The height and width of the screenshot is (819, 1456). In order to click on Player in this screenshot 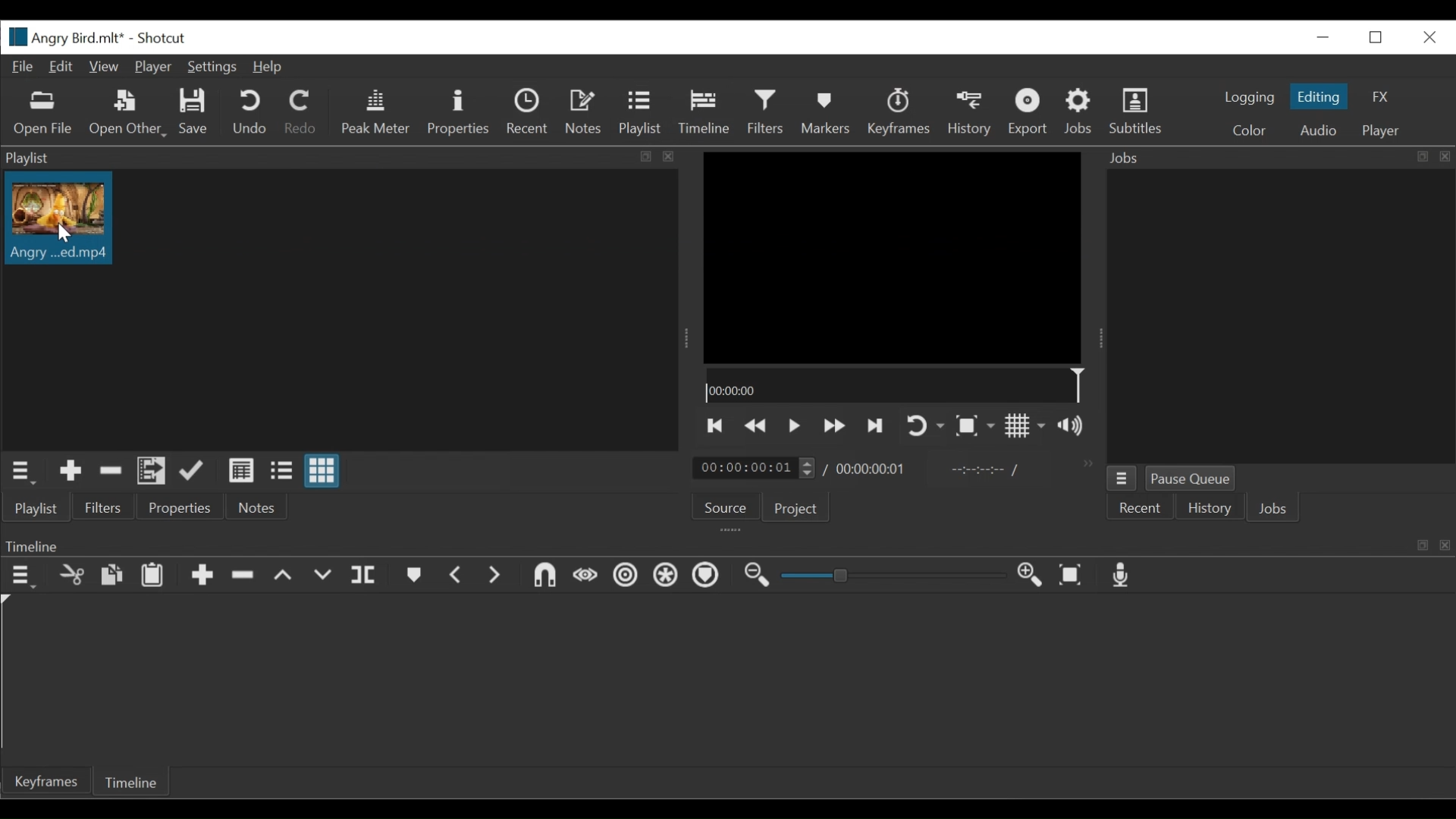, I will do `click(1385, 132)`.